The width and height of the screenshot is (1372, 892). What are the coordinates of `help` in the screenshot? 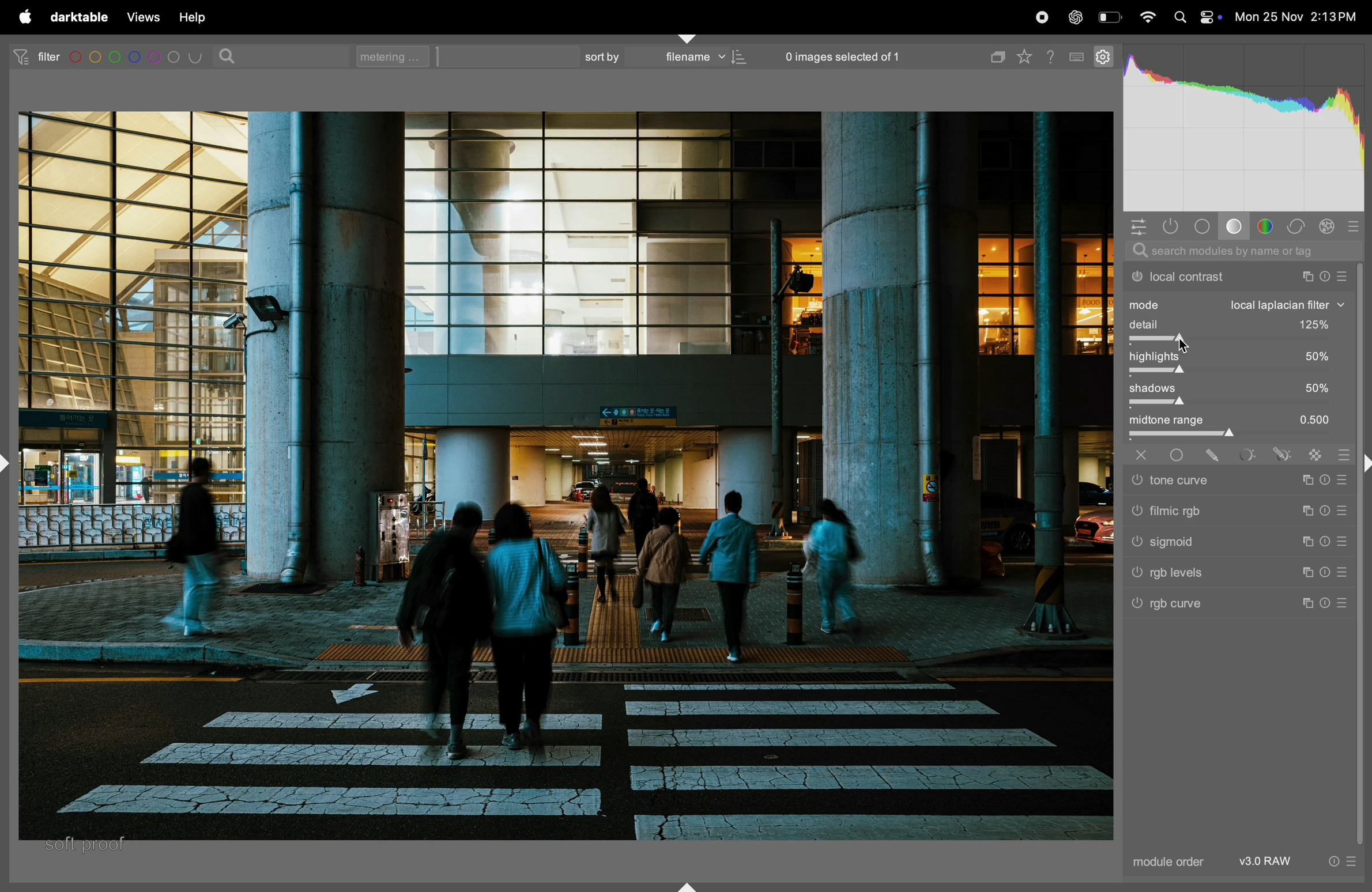 It's located at (1053, 55).